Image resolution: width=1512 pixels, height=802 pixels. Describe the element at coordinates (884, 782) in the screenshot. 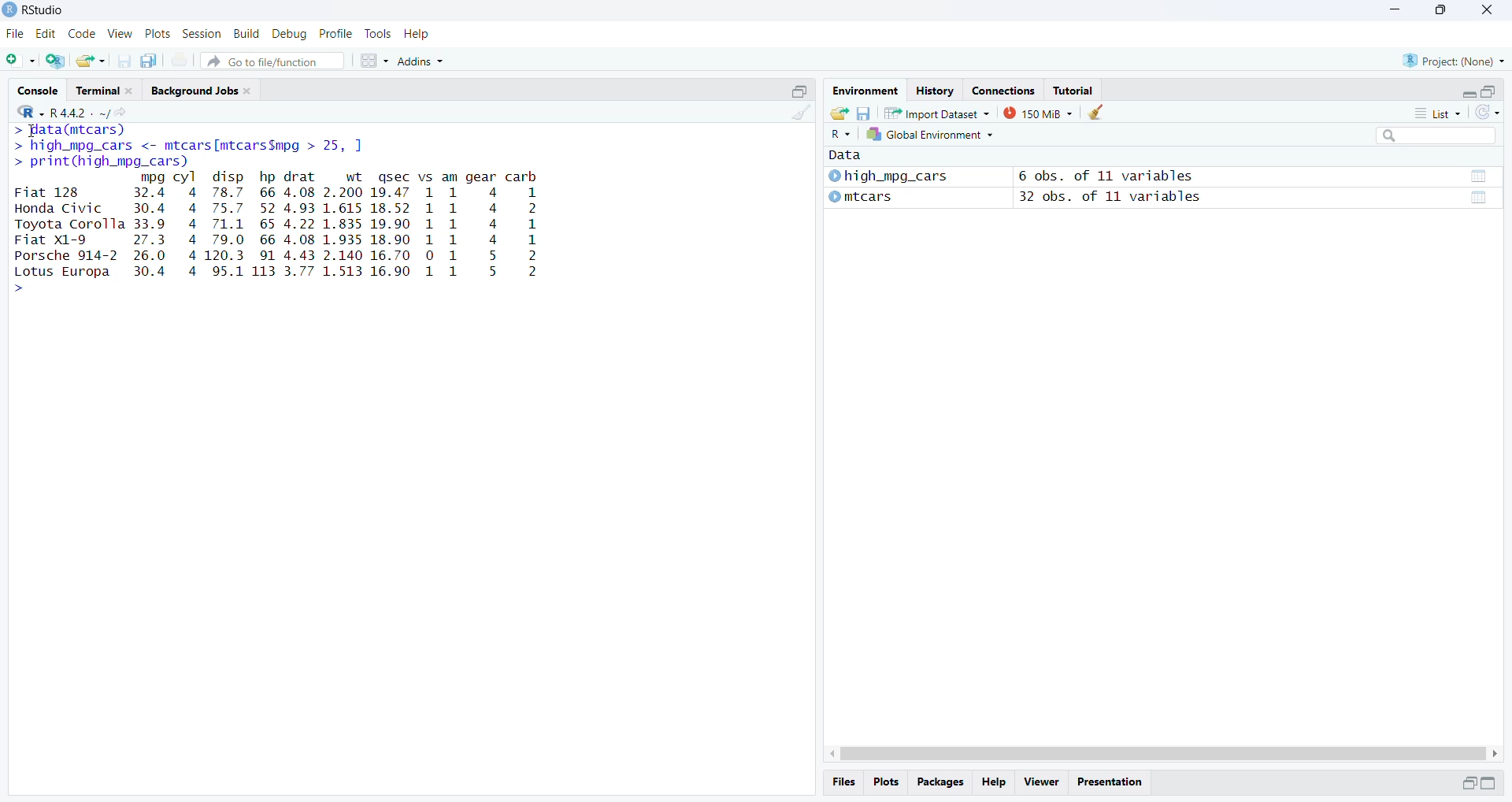

I see `Plots` at that location.